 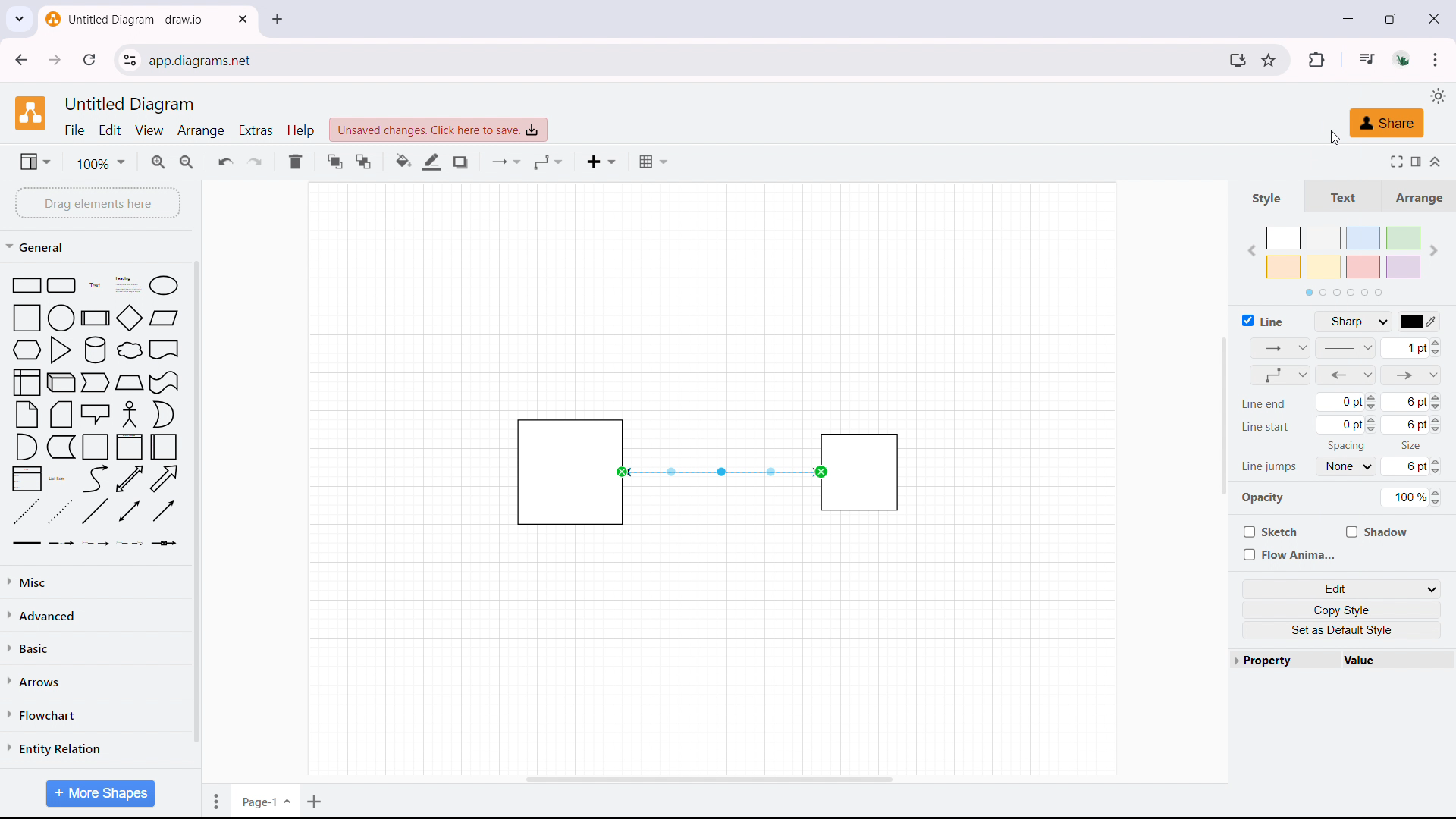 What do you see at coordinates (213, 800) in the screenshot?
I see `move` at bounding box center [213, 800].